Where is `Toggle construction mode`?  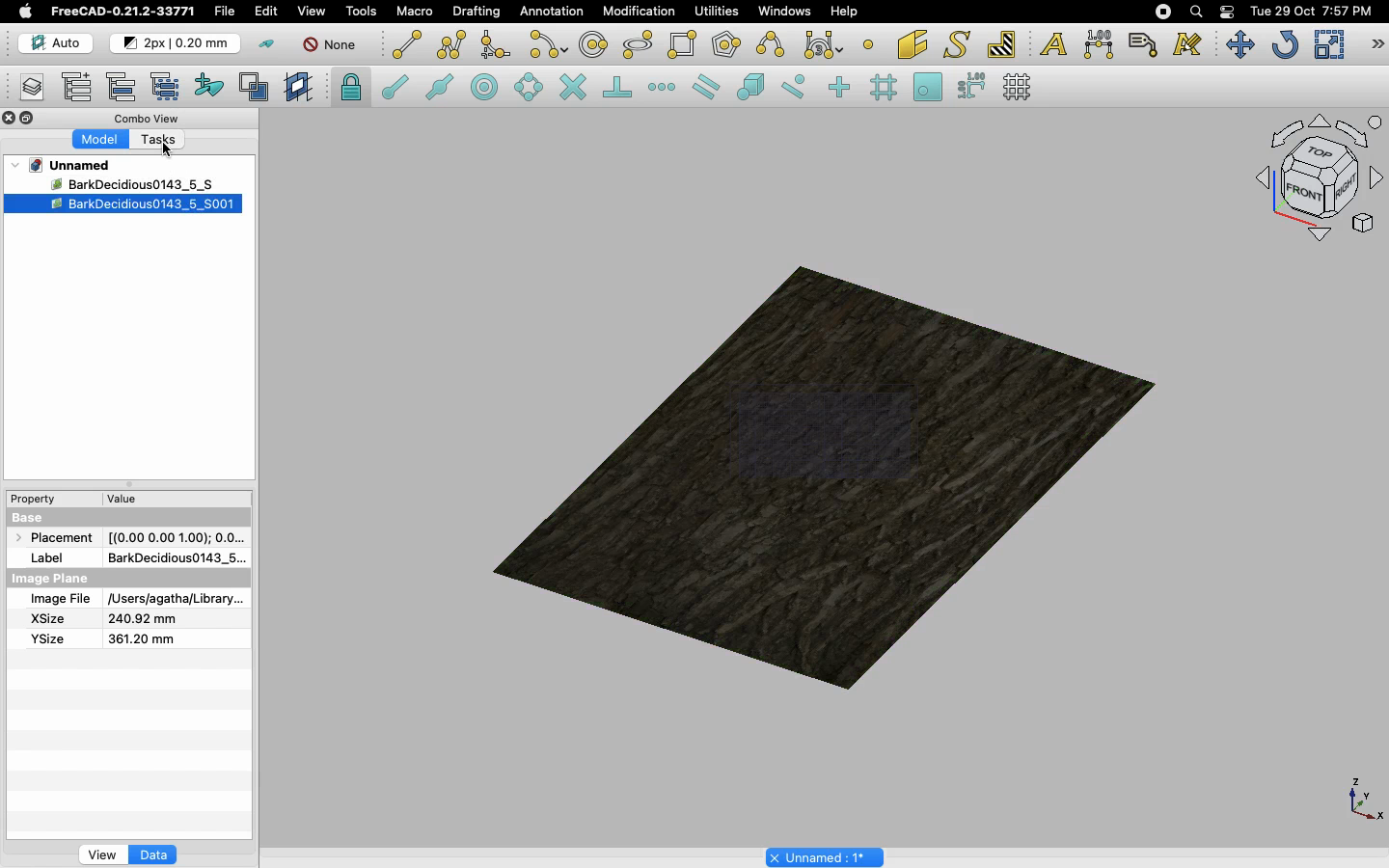
Toggle construction mode is located at coordinates (267, 44).